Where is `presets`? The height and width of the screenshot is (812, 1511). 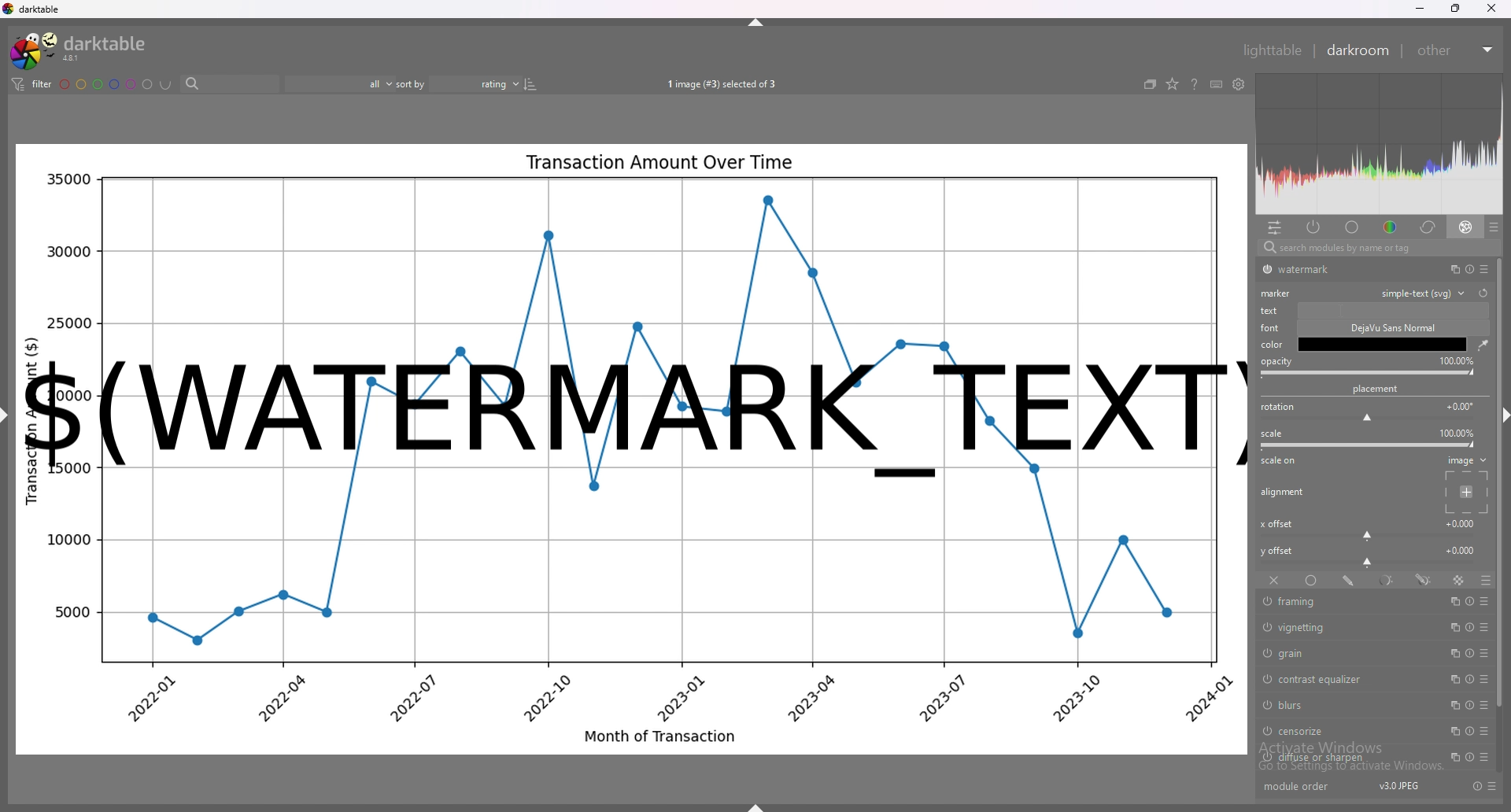
presets is located at coordinates (1486, 601).